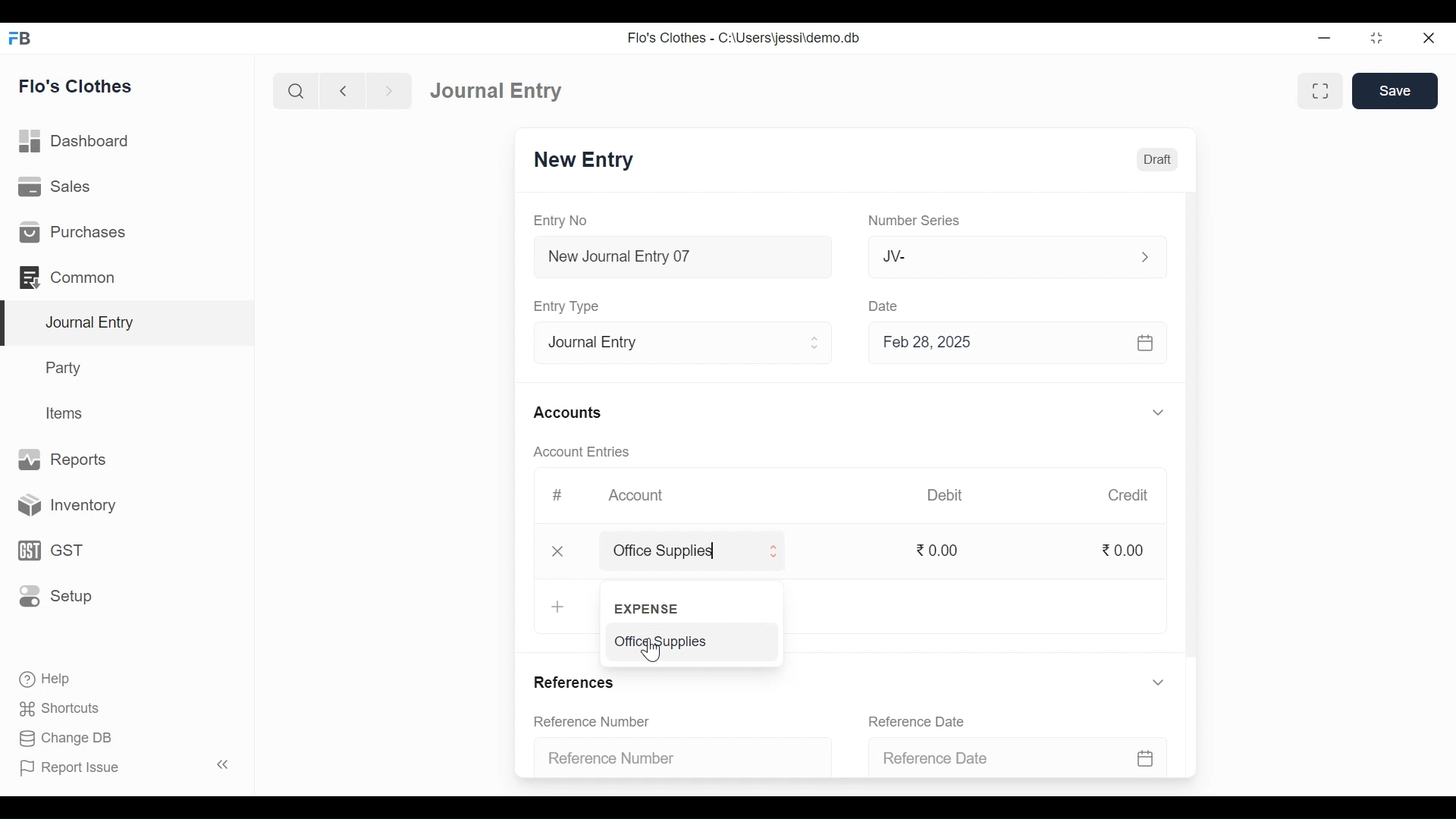  What do you see at coordinates (57, 186) in the screenshot?
I see `Sales` at bounding box center [57, 186].